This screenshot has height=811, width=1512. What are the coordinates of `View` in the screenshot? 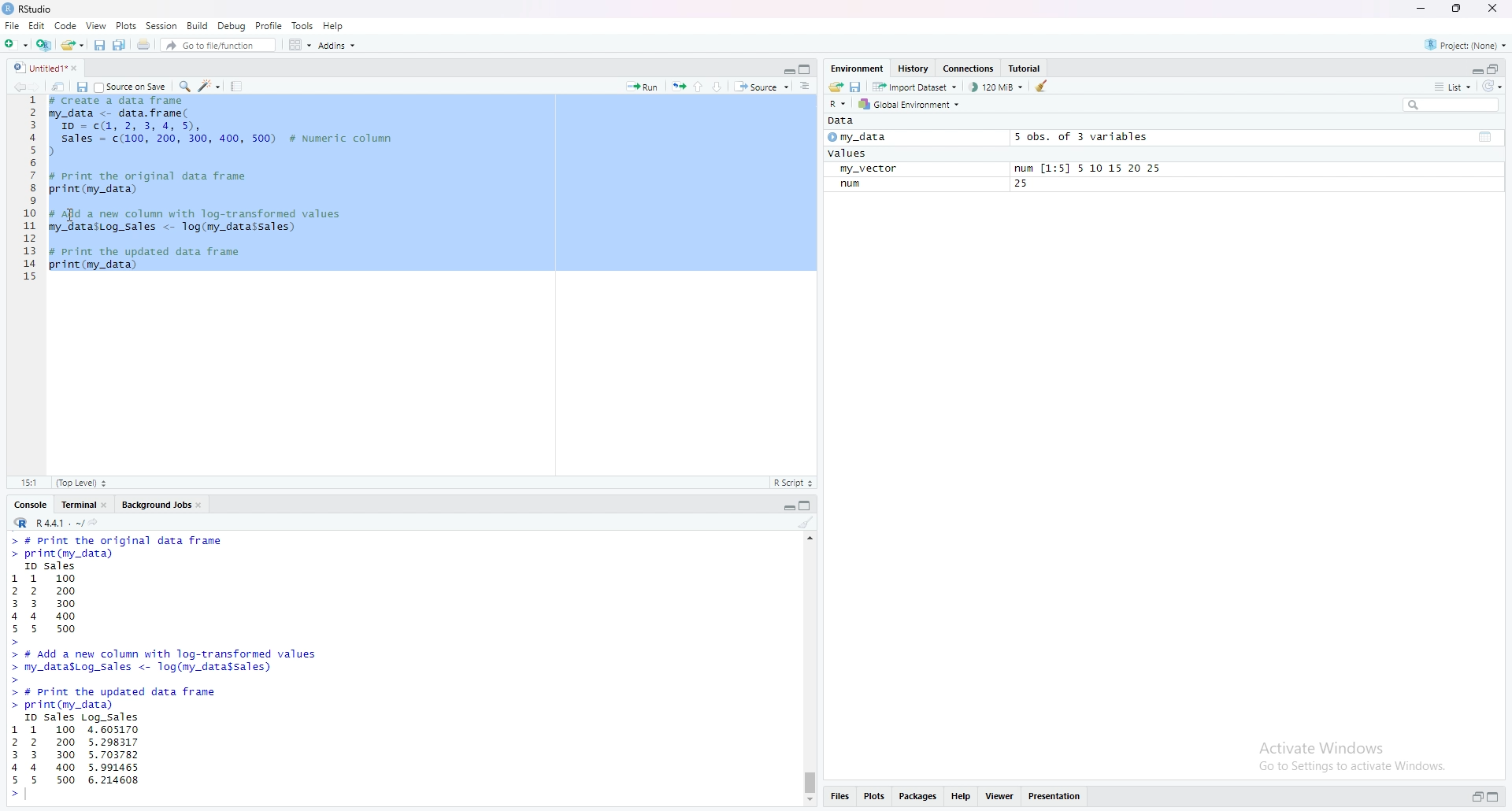 It's located at (94, 27).